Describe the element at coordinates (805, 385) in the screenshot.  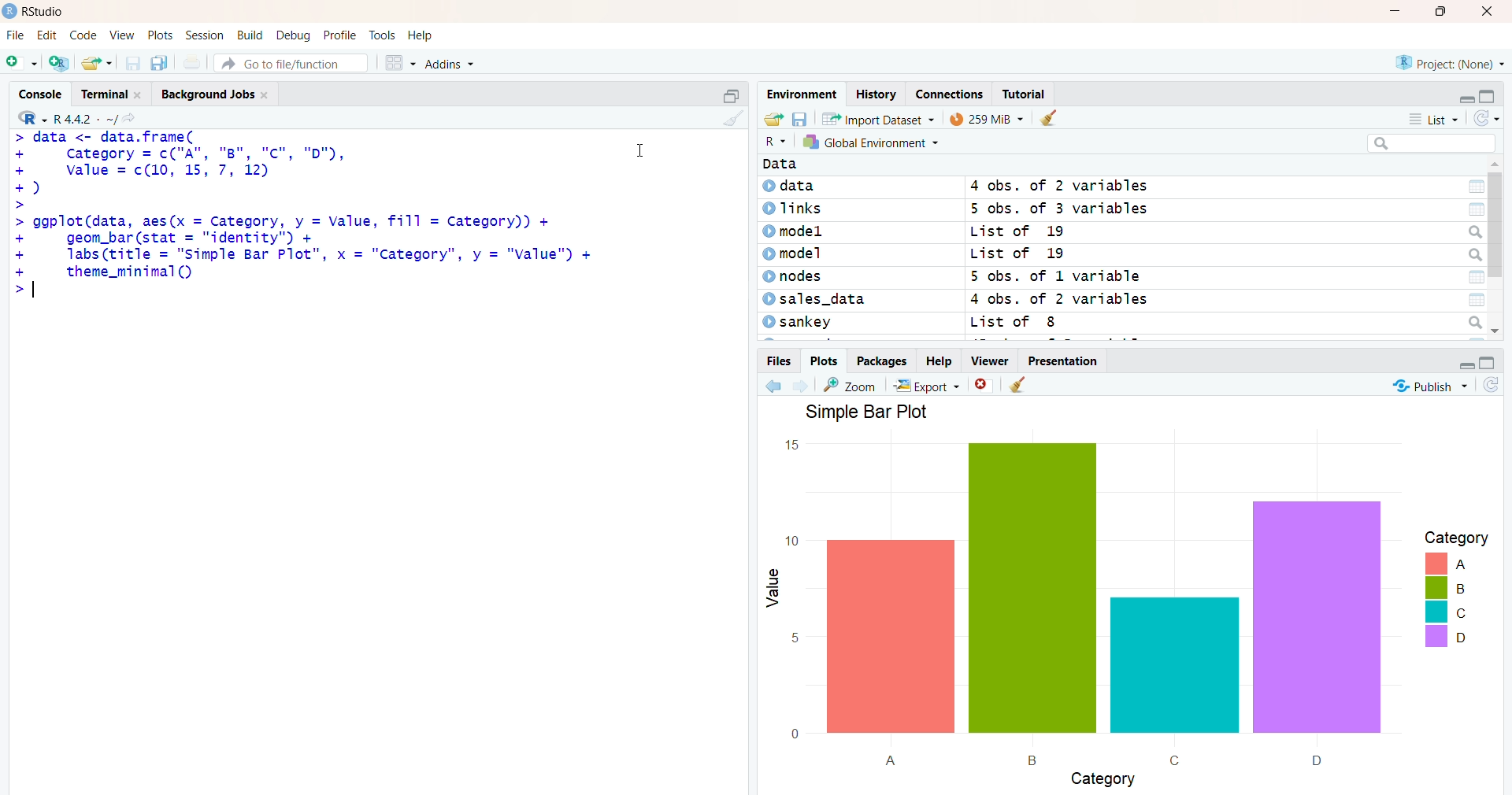
I see `Next plot` at that location.